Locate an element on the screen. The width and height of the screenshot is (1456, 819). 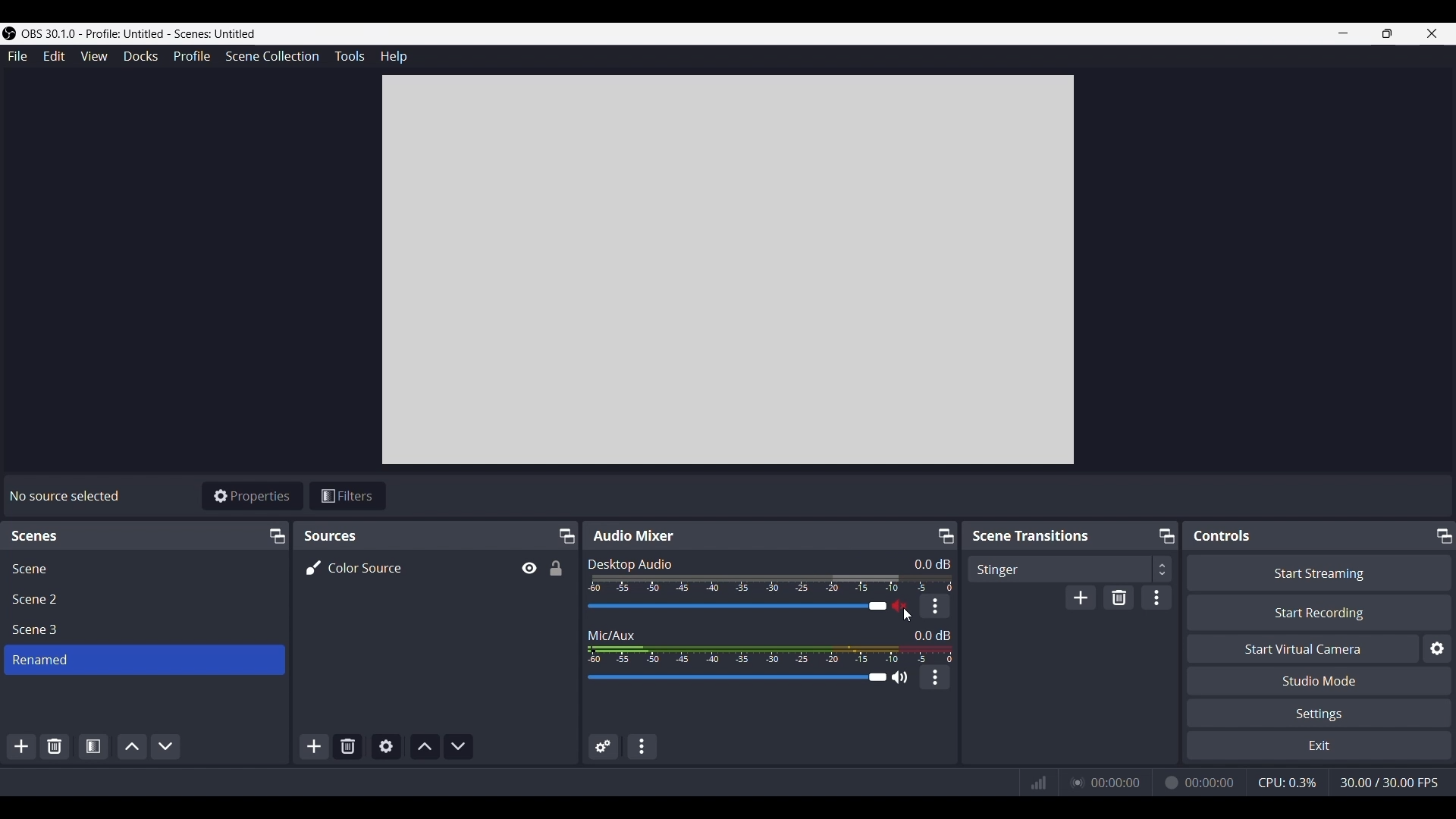
Delete selected transition is located at coordinates (1119, 598).